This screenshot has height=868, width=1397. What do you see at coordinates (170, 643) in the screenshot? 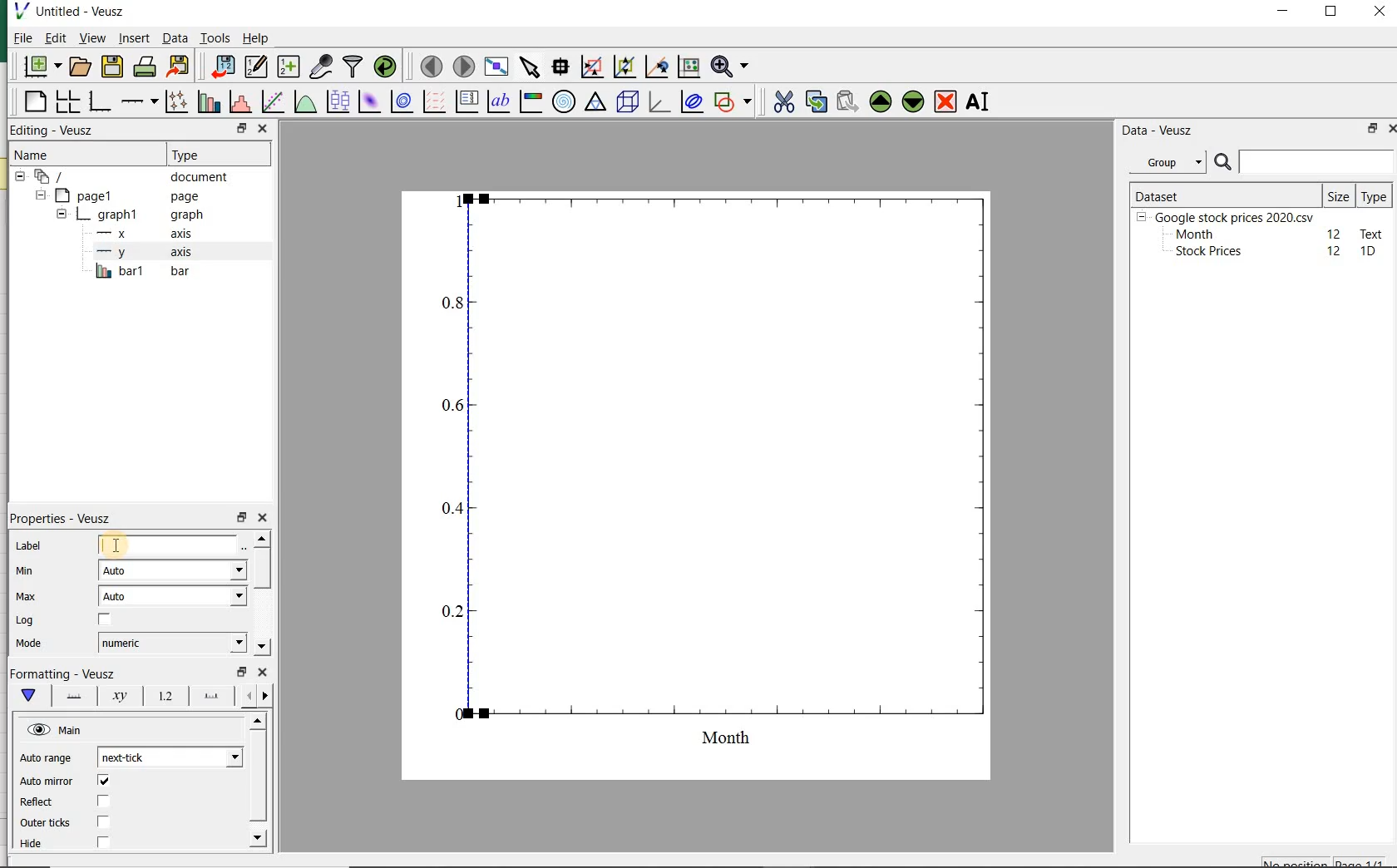
I see `numeric` at bounding box center [170, 643].